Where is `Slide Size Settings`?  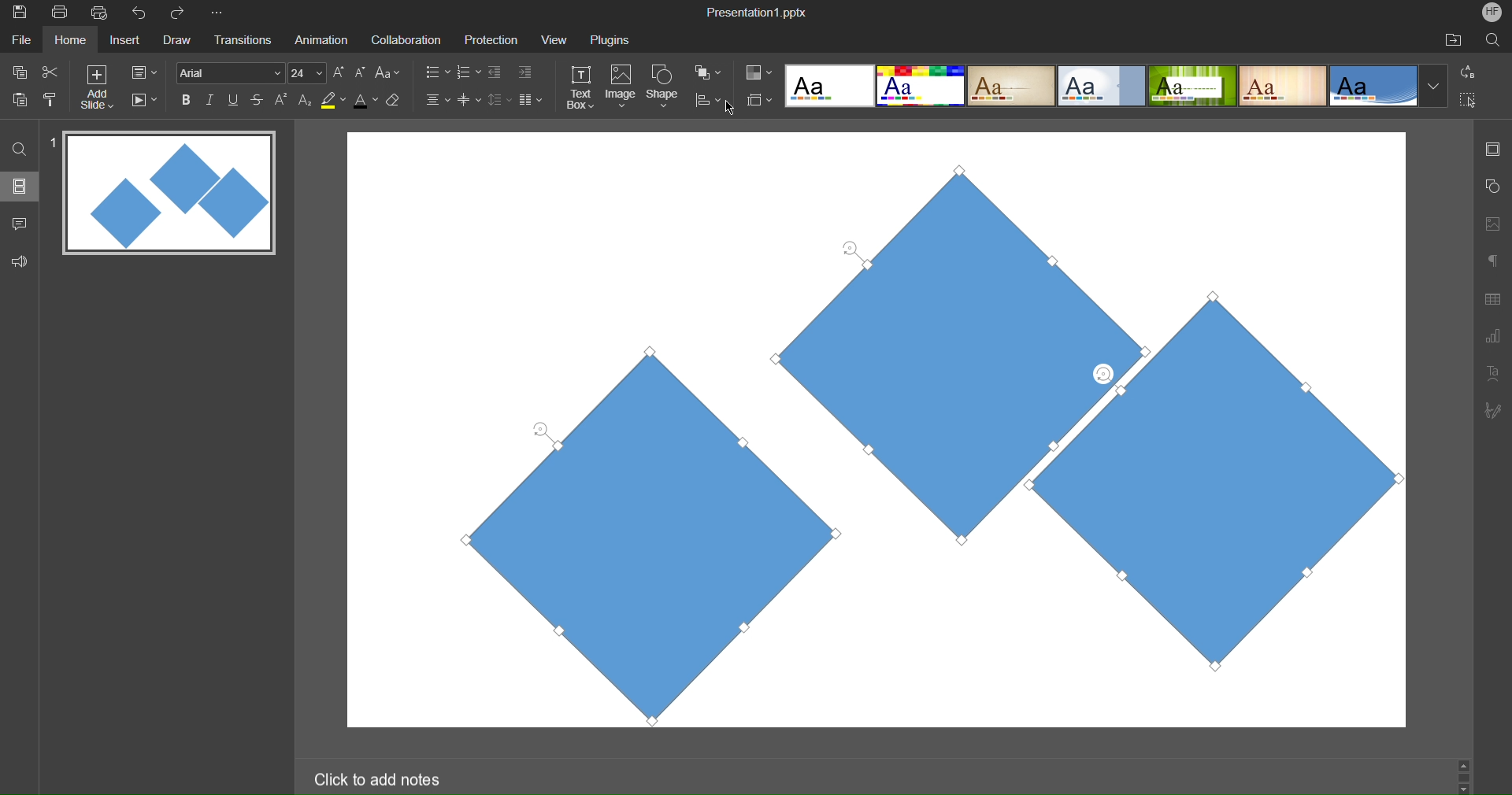 Slide Size Settings is located at coordinates (760, 99).